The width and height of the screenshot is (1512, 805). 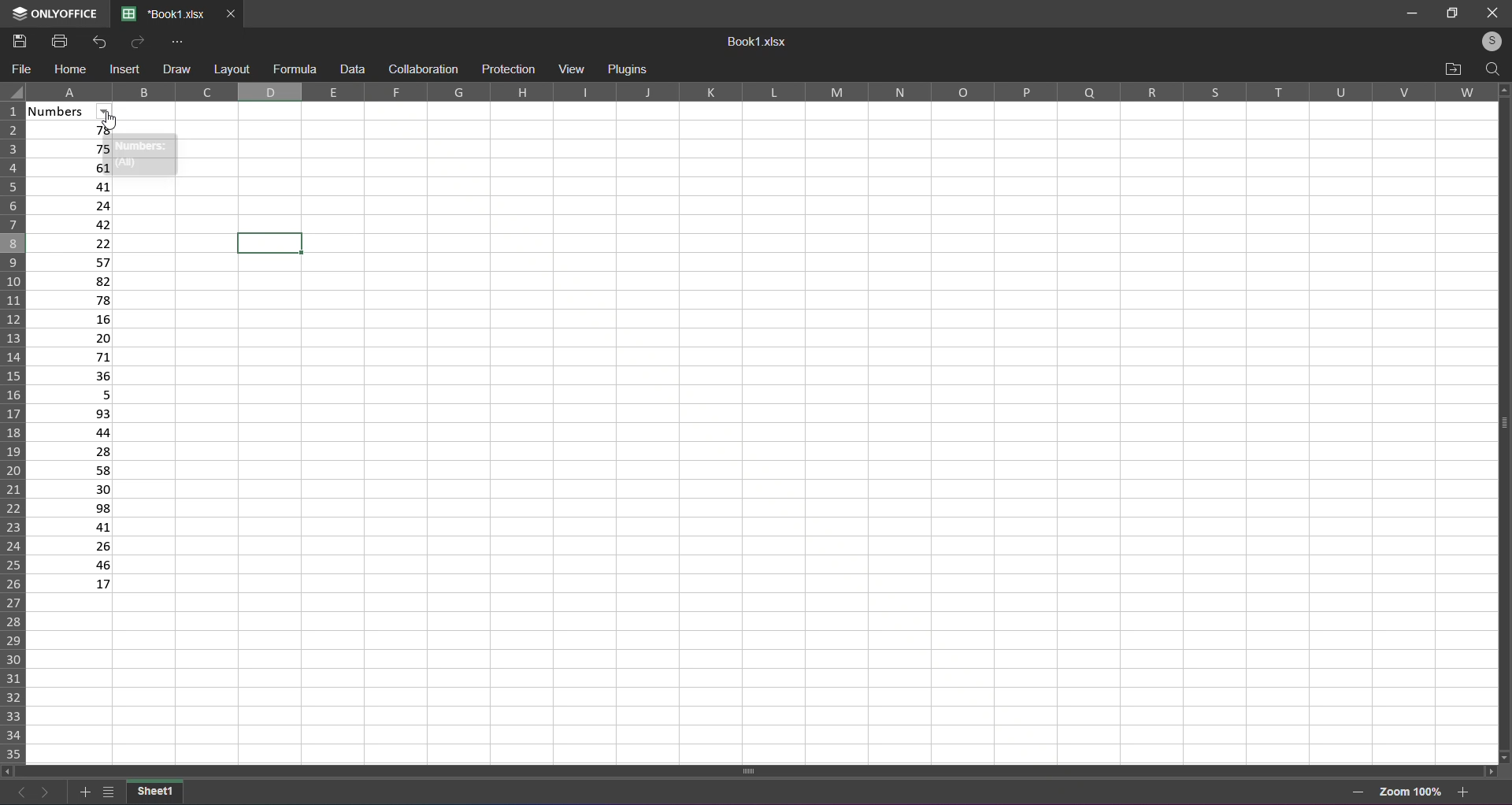 What do you see at coordinates (71, 413) in the screenshot?
I see `93` at bounding box center [71, 413].